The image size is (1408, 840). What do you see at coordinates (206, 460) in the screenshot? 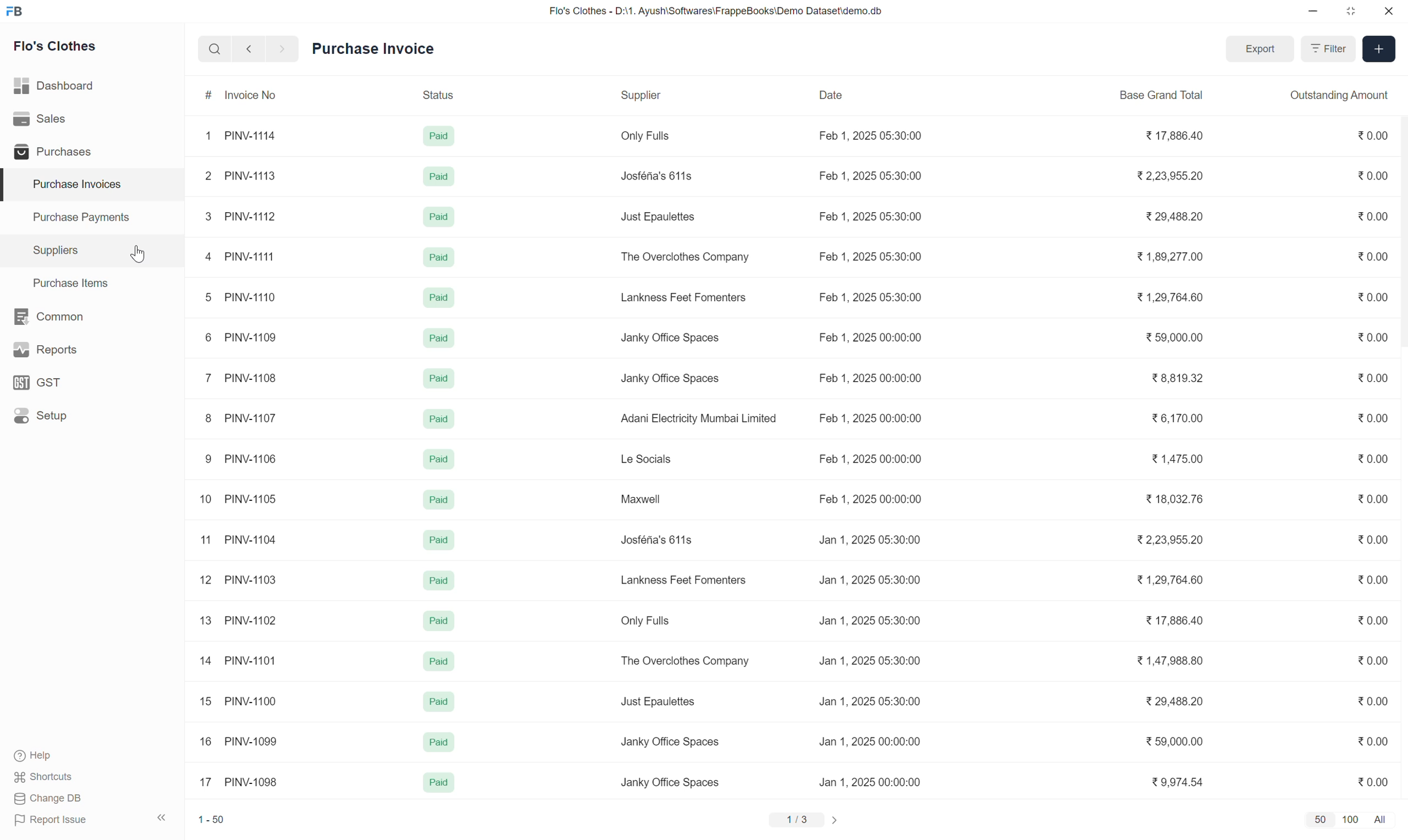
I see `9` at bounding box center [206, 460].